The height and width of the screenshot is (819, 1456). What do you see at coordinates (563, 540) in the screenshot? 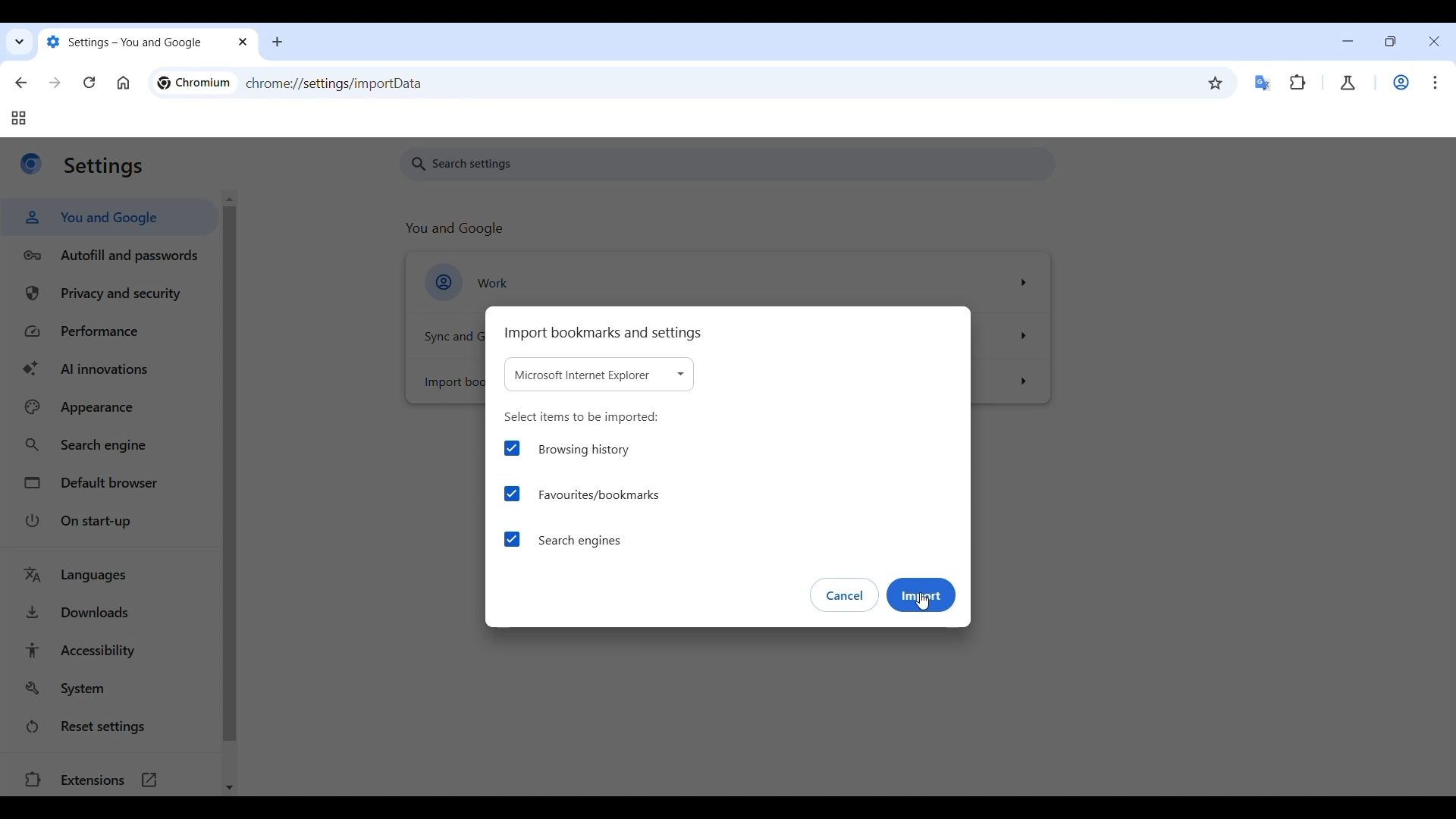
I see `Search engines ` at bounding box center [563, 540].